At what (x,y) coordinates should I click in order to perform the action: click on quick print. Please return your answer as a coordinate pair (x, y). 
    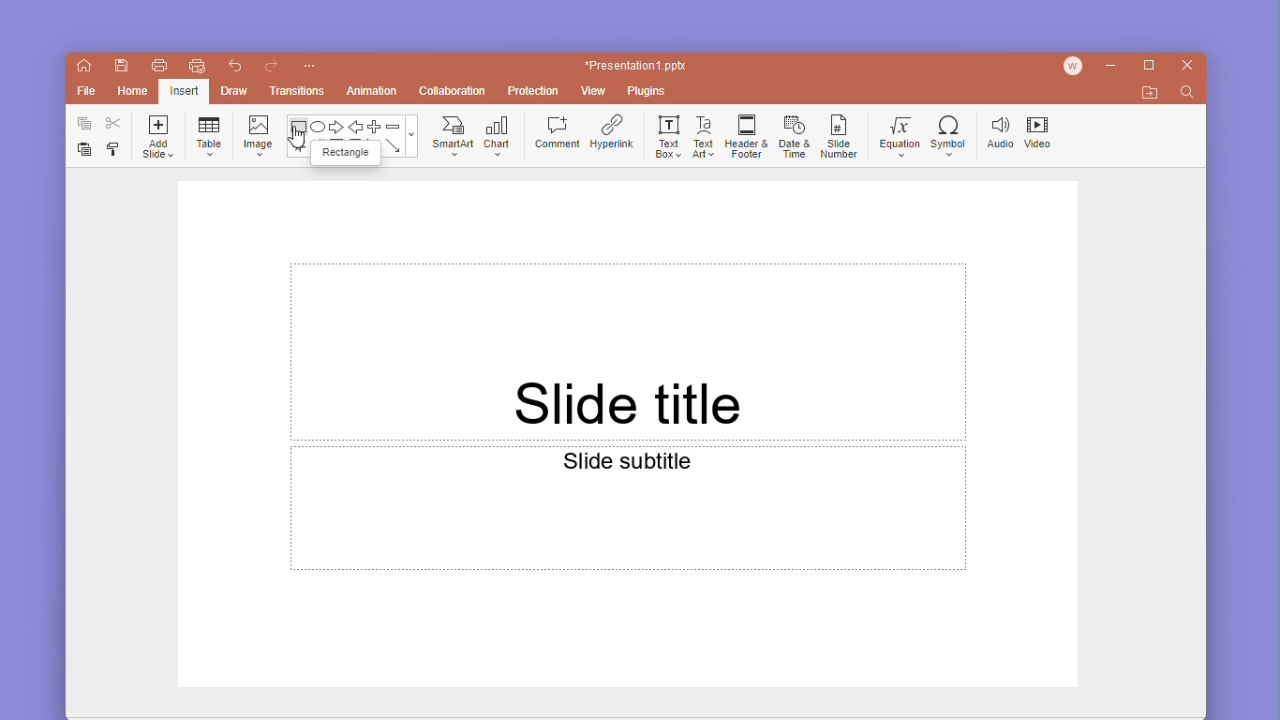
    Looking at the image, I should click on (194, 66).